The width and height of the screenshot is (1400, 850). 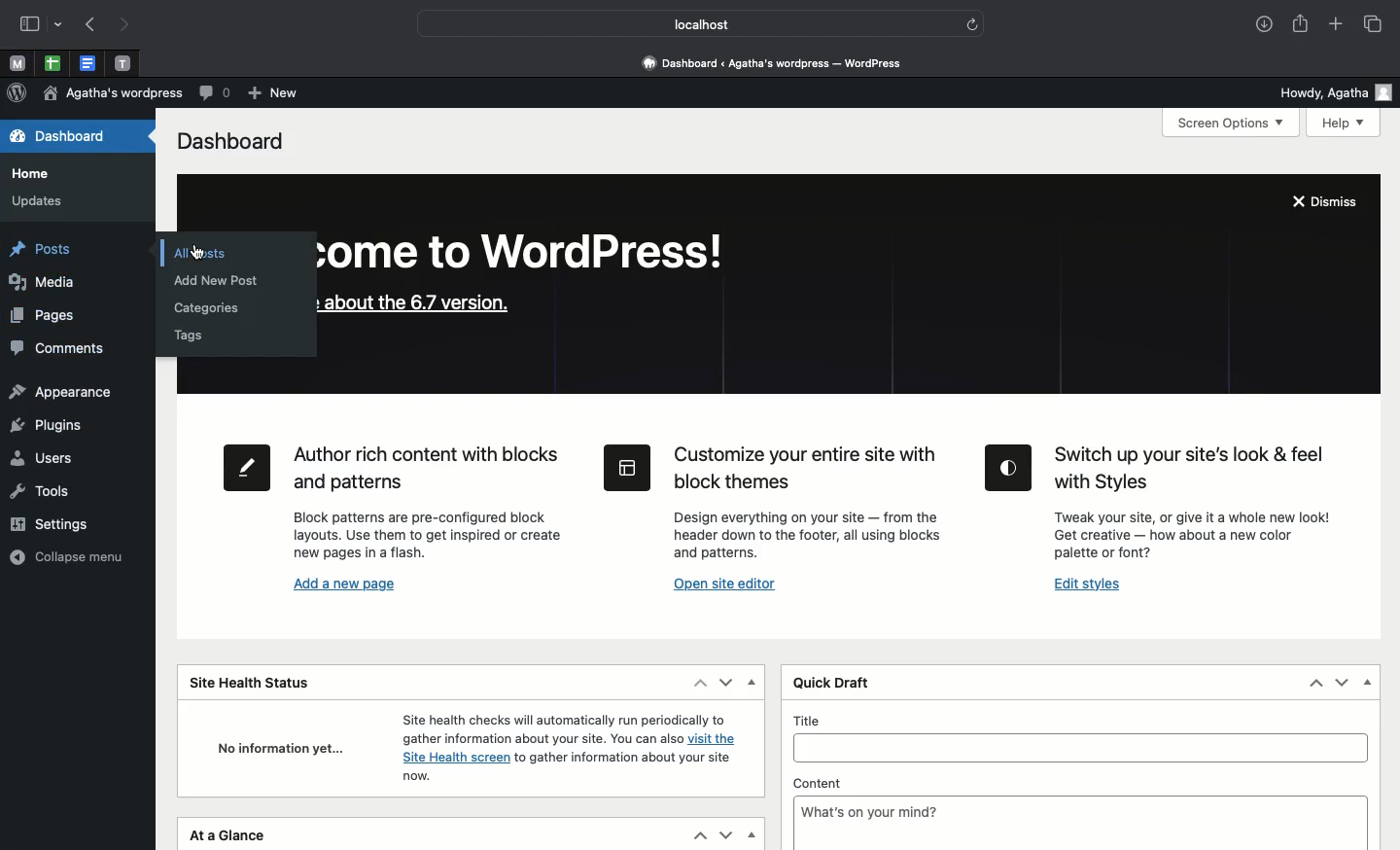 What do you see at coordinates (30, 26) in the screenshot?
I see `Sidebare` at bounding box center [30, 26].